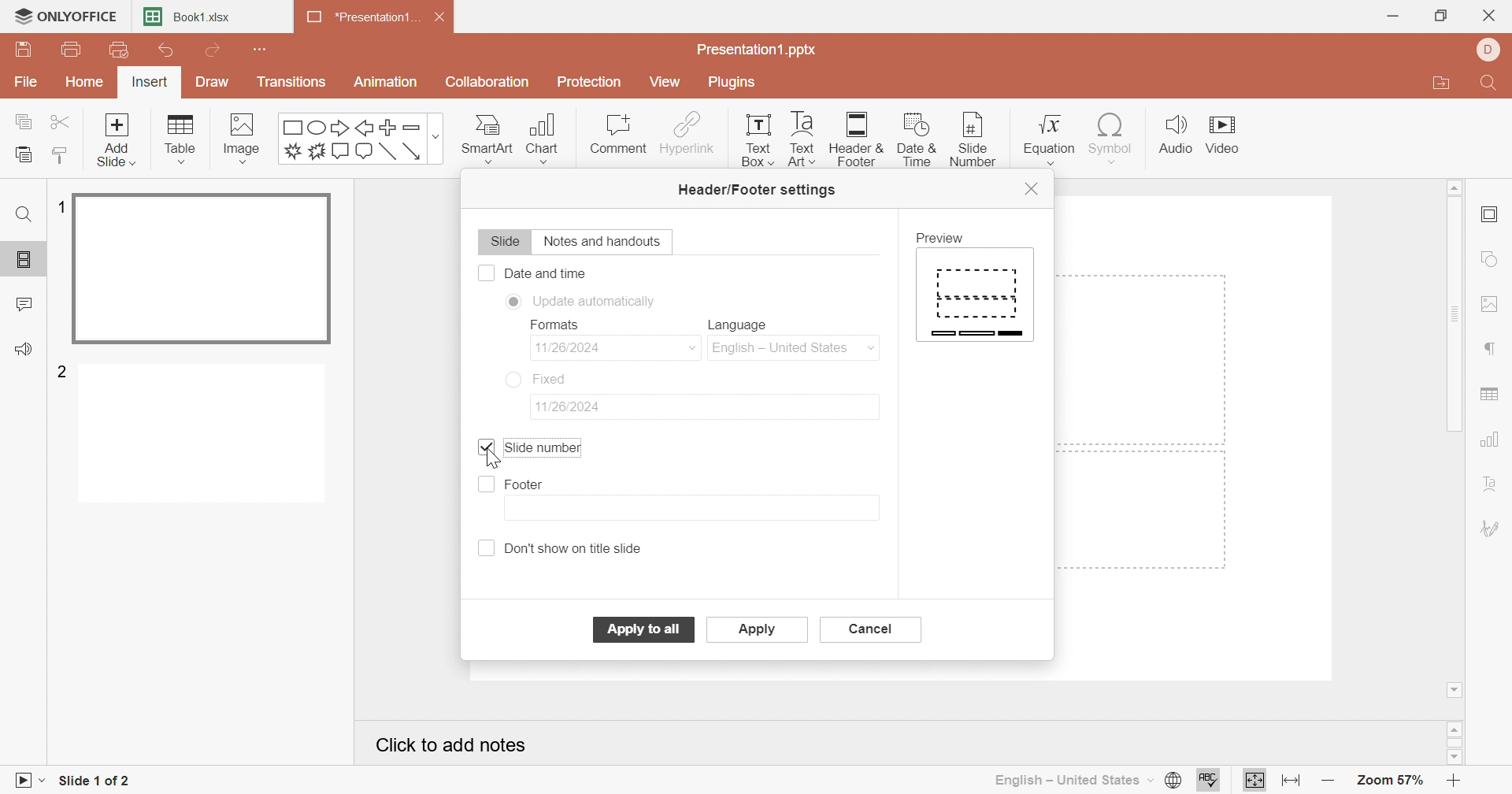  I want to click on Checkbox, so click(484, 449).